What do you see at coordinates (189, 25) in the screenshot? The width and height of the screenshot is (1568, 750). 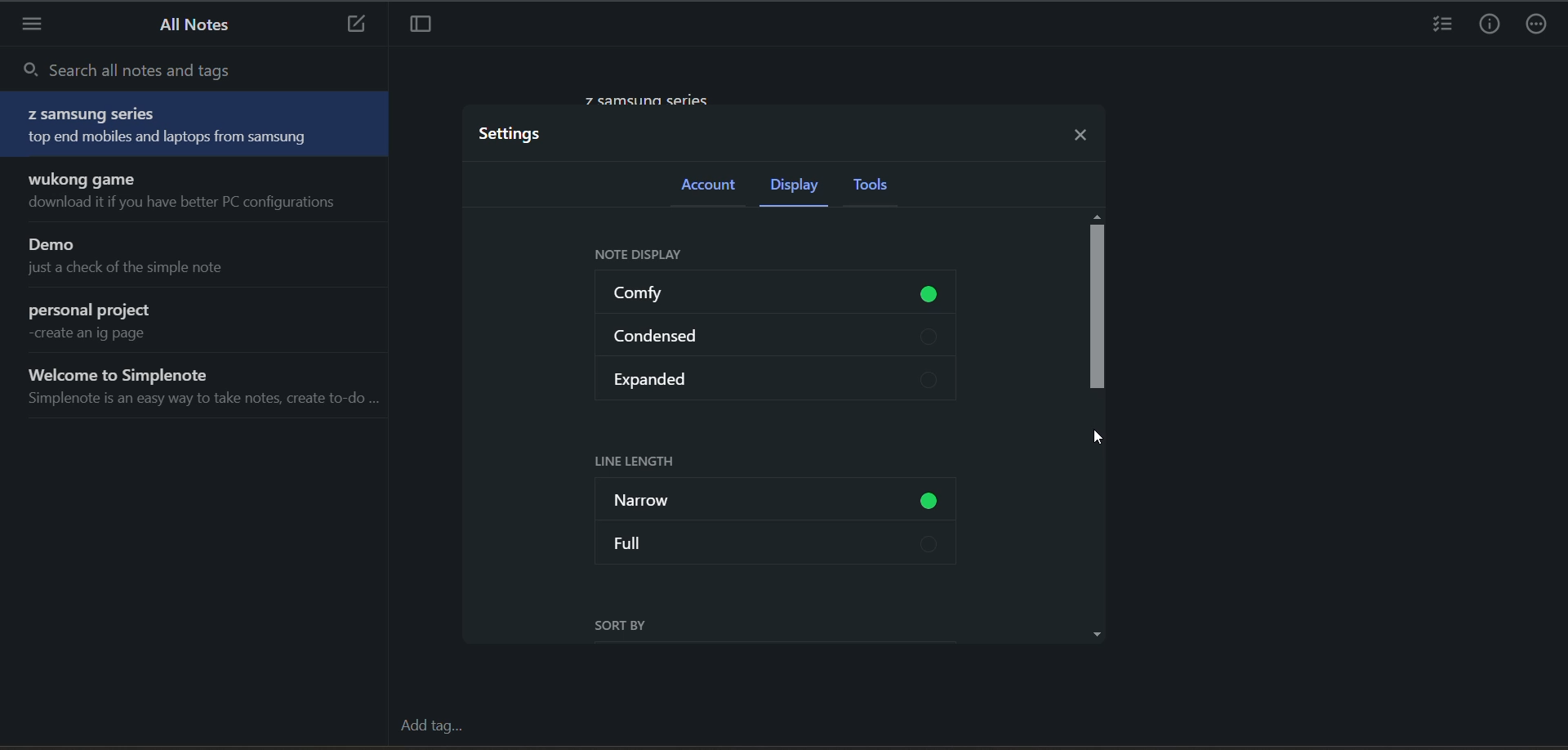 I see `all notes` at bounding box center [189, 25].